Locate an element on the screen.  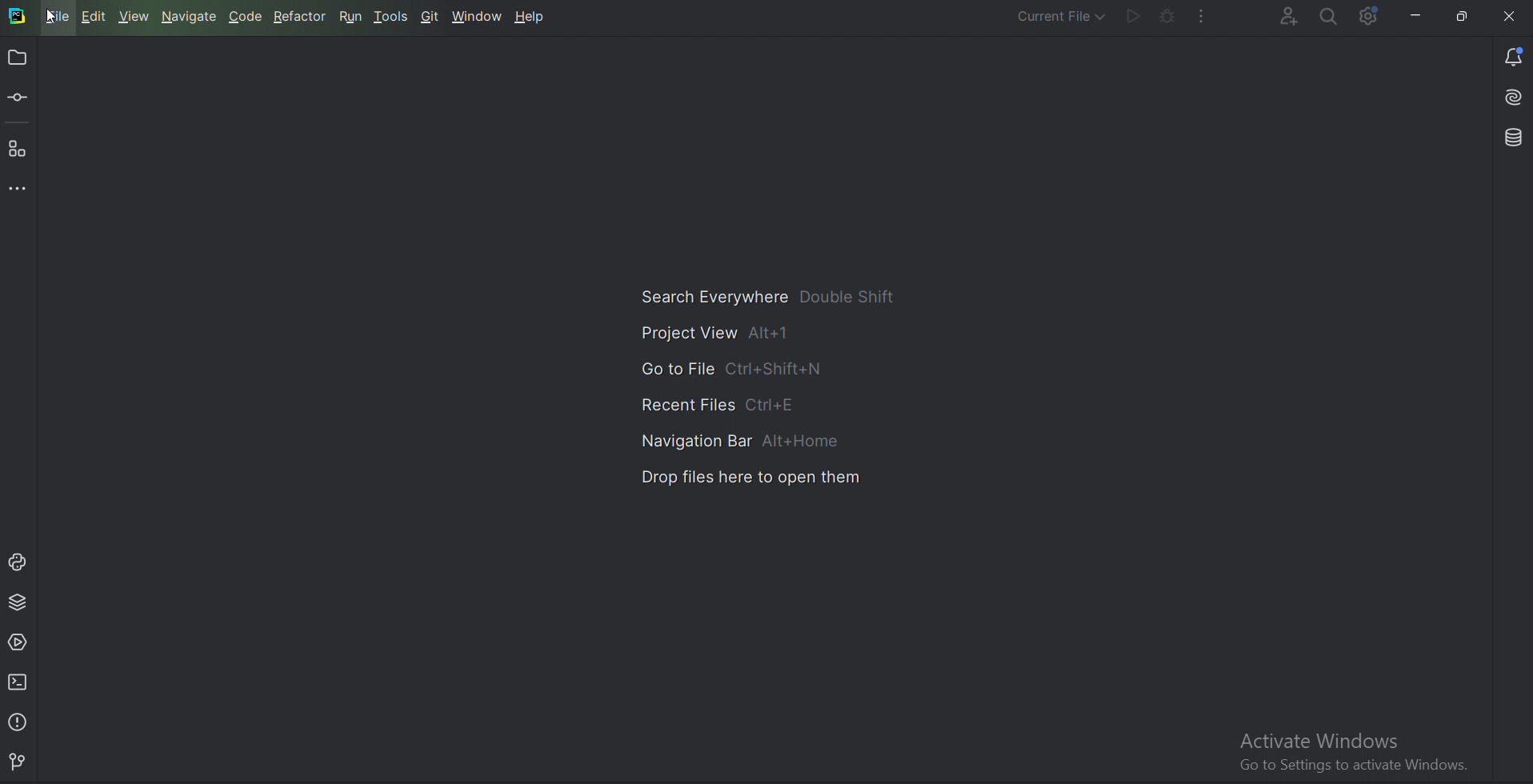
Search everywhere is located at coordinates (1331, 18).